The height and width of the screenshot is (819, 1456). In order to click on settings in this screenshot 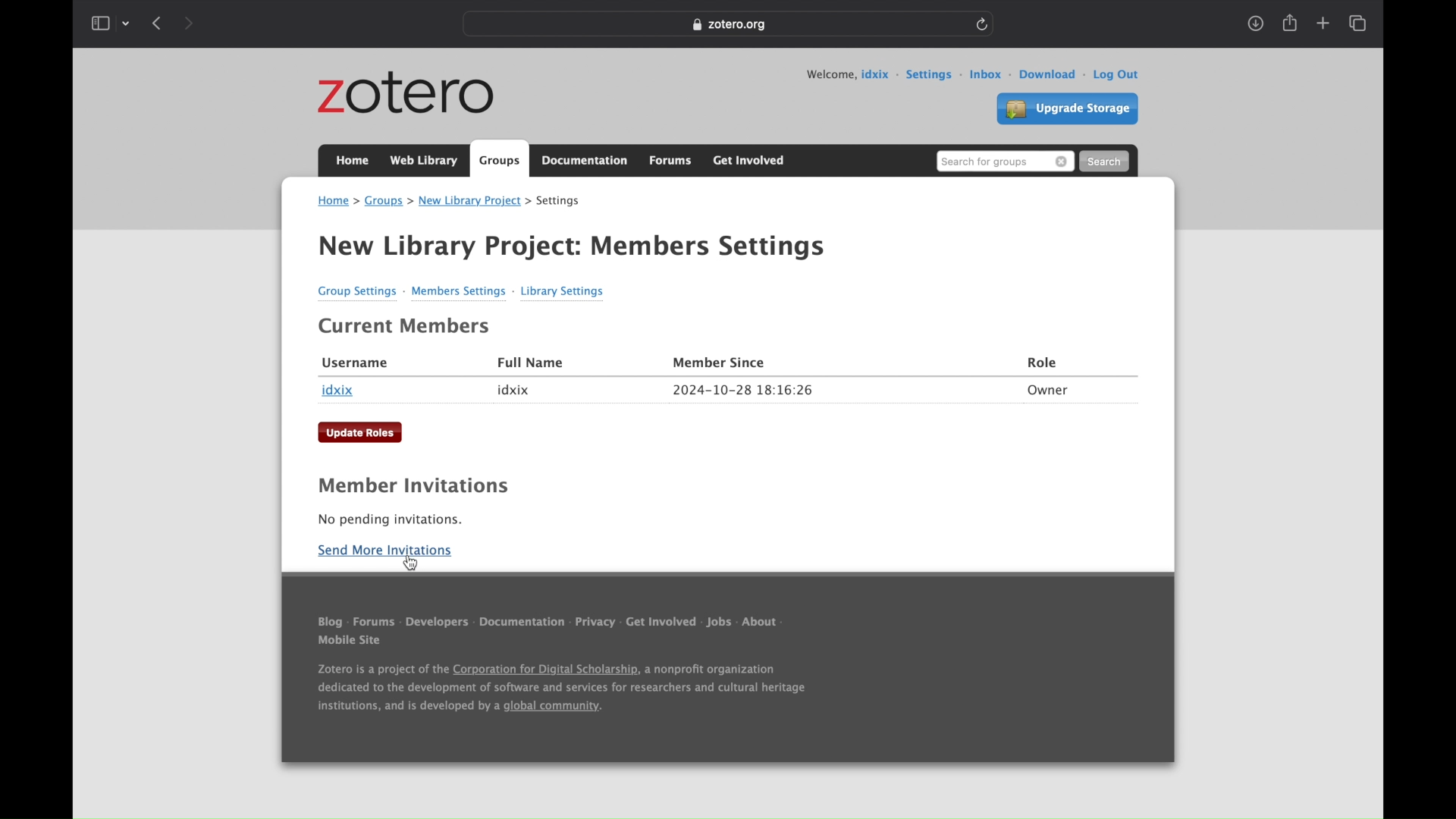, I will do `click(934, 74)`.